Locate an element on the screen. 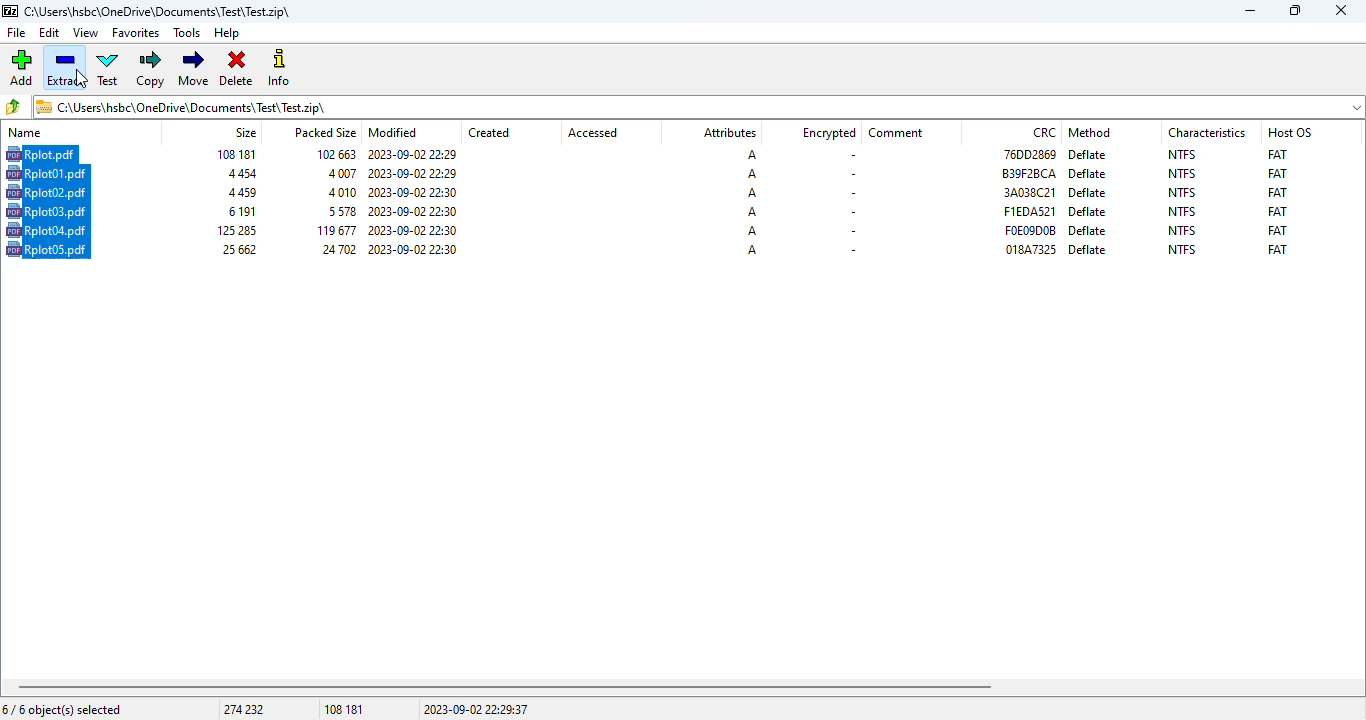 This screenshot has height=720, width=1366. encrypted is located at coordinates (829, 133).